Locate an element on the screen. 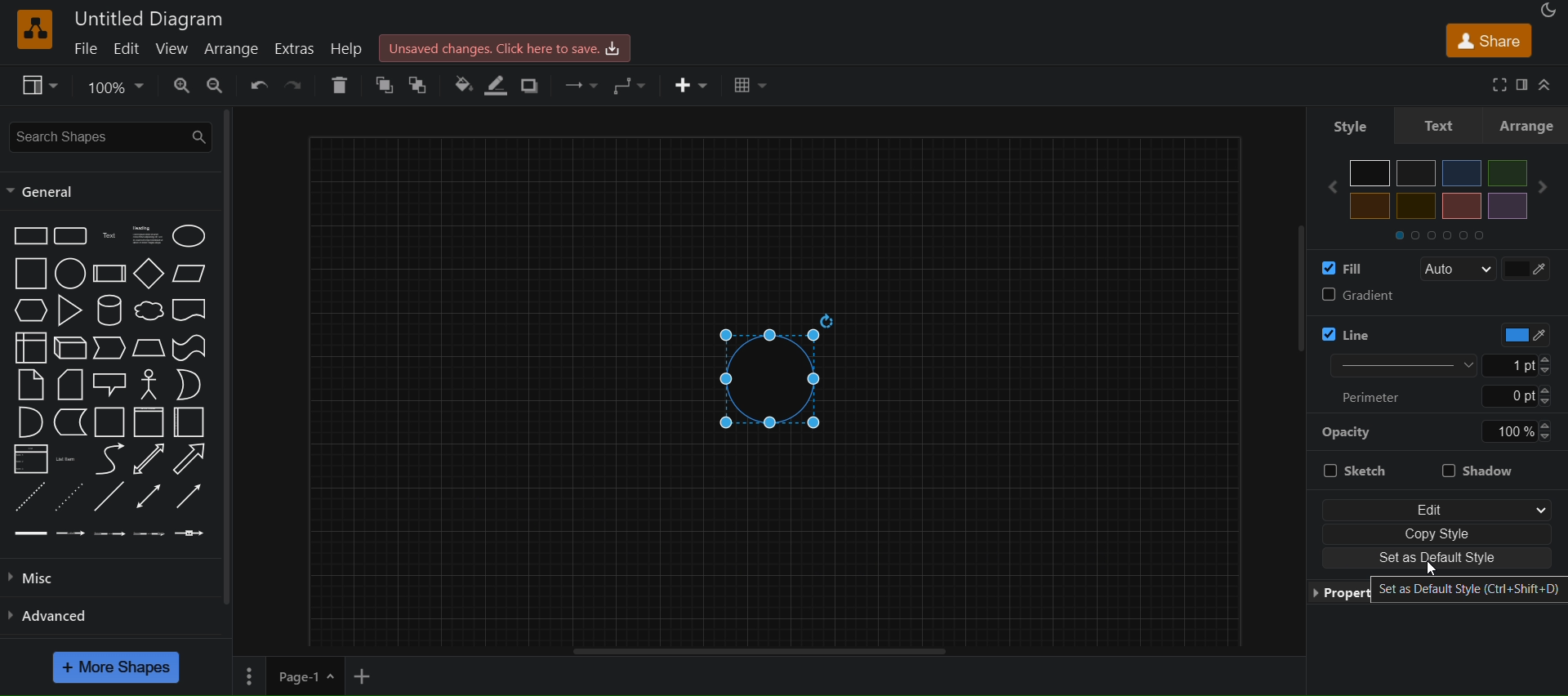 The image size is (1568, 696). connector 2 is located at coordinates (71, 533).